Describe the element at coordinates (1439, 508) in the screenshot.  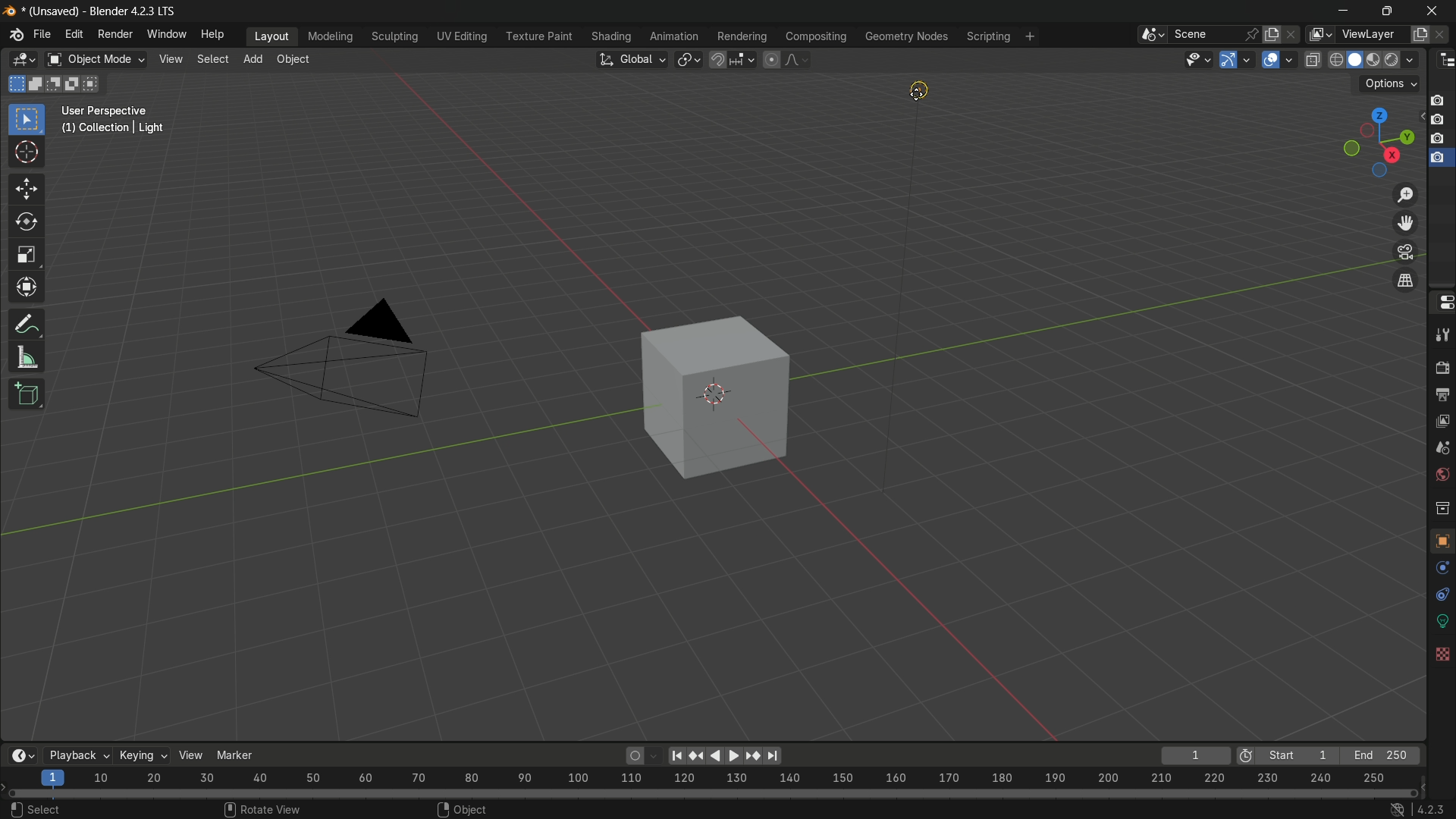
I see `collections` at that location.